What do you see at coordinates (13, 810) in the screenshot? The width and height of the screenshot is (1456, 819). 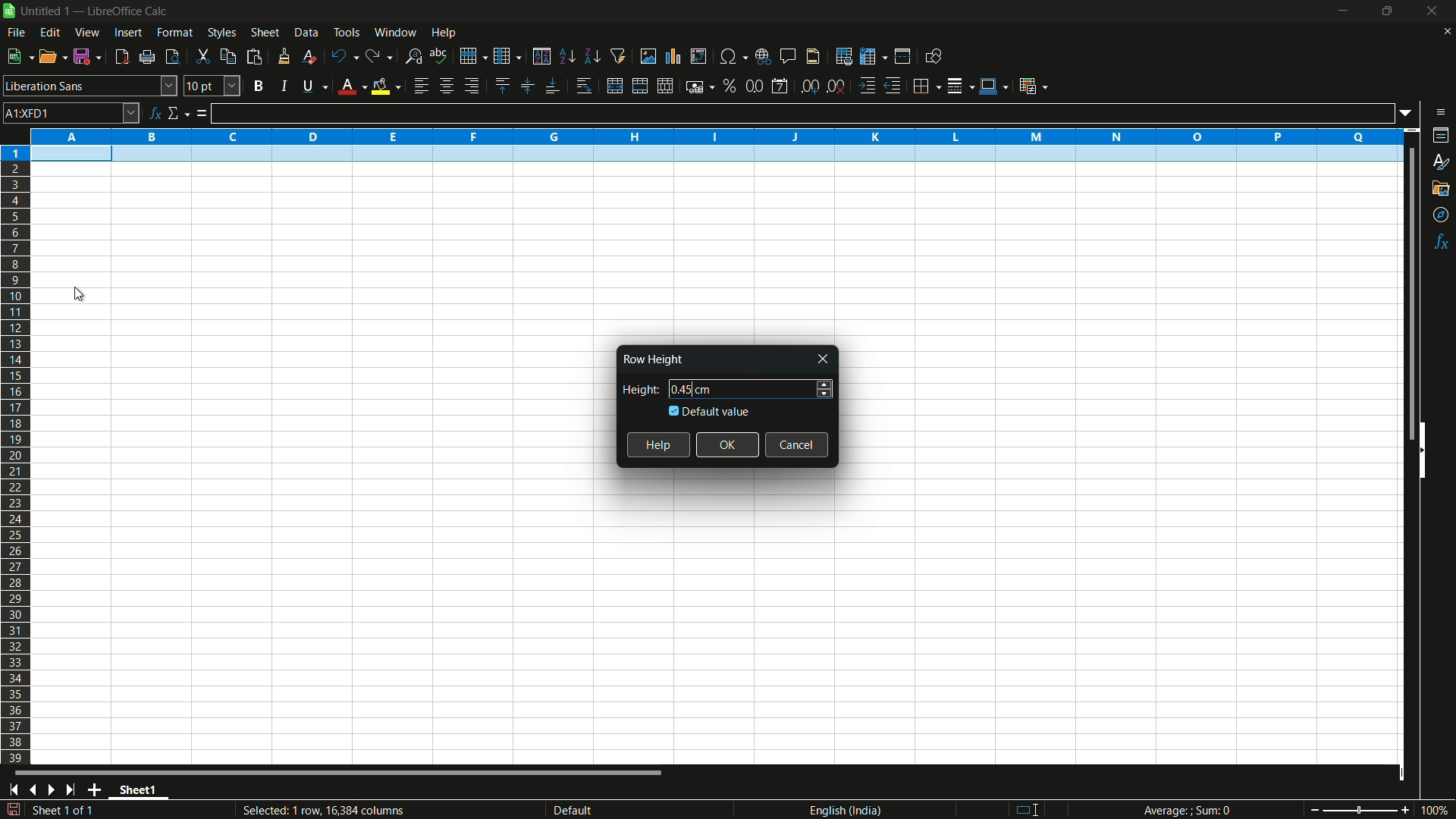 I see `save` at bounding box center [13, 810].